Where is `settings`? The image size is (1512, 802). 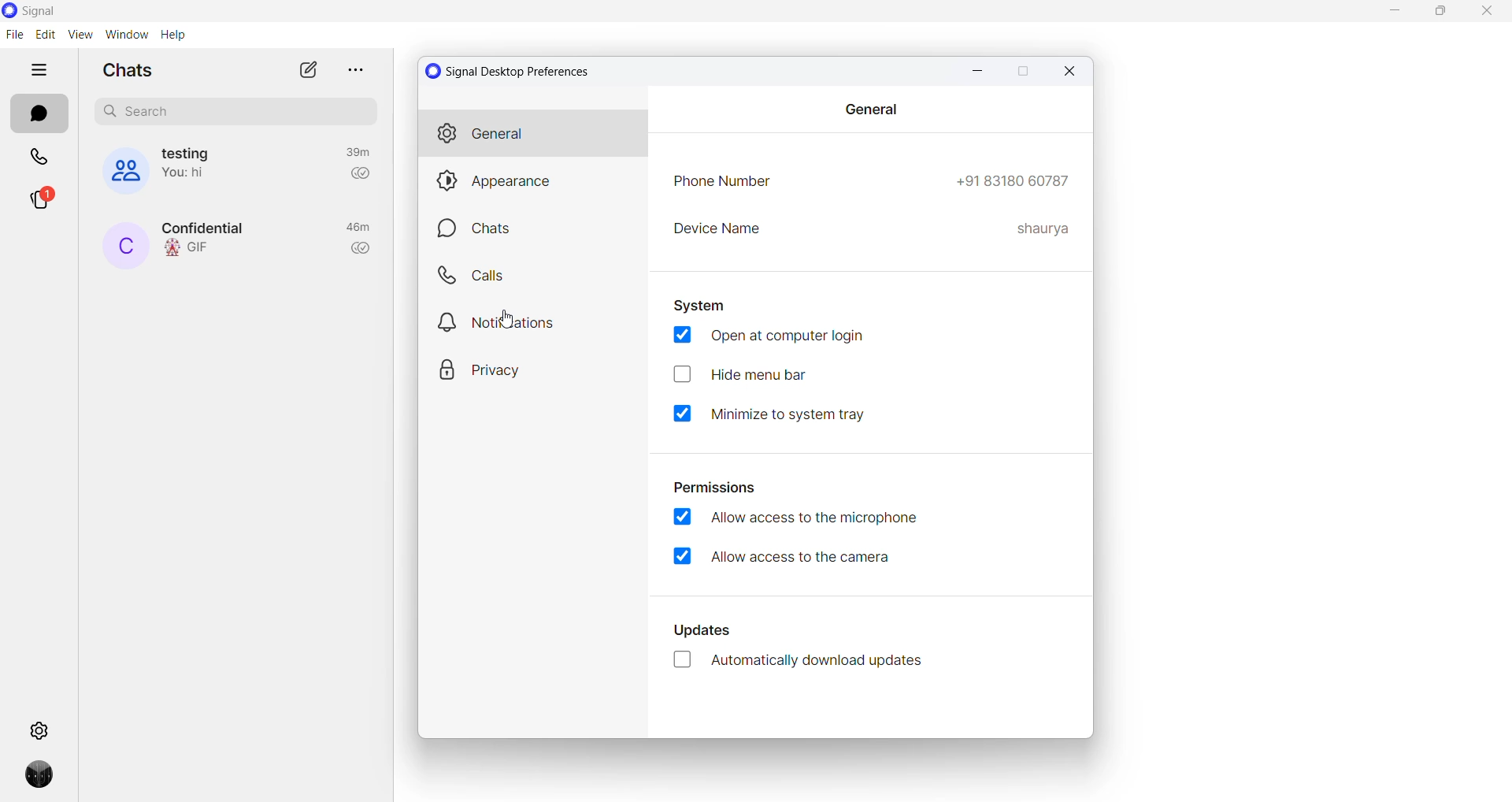
settings is located at coordinates (39, 730).